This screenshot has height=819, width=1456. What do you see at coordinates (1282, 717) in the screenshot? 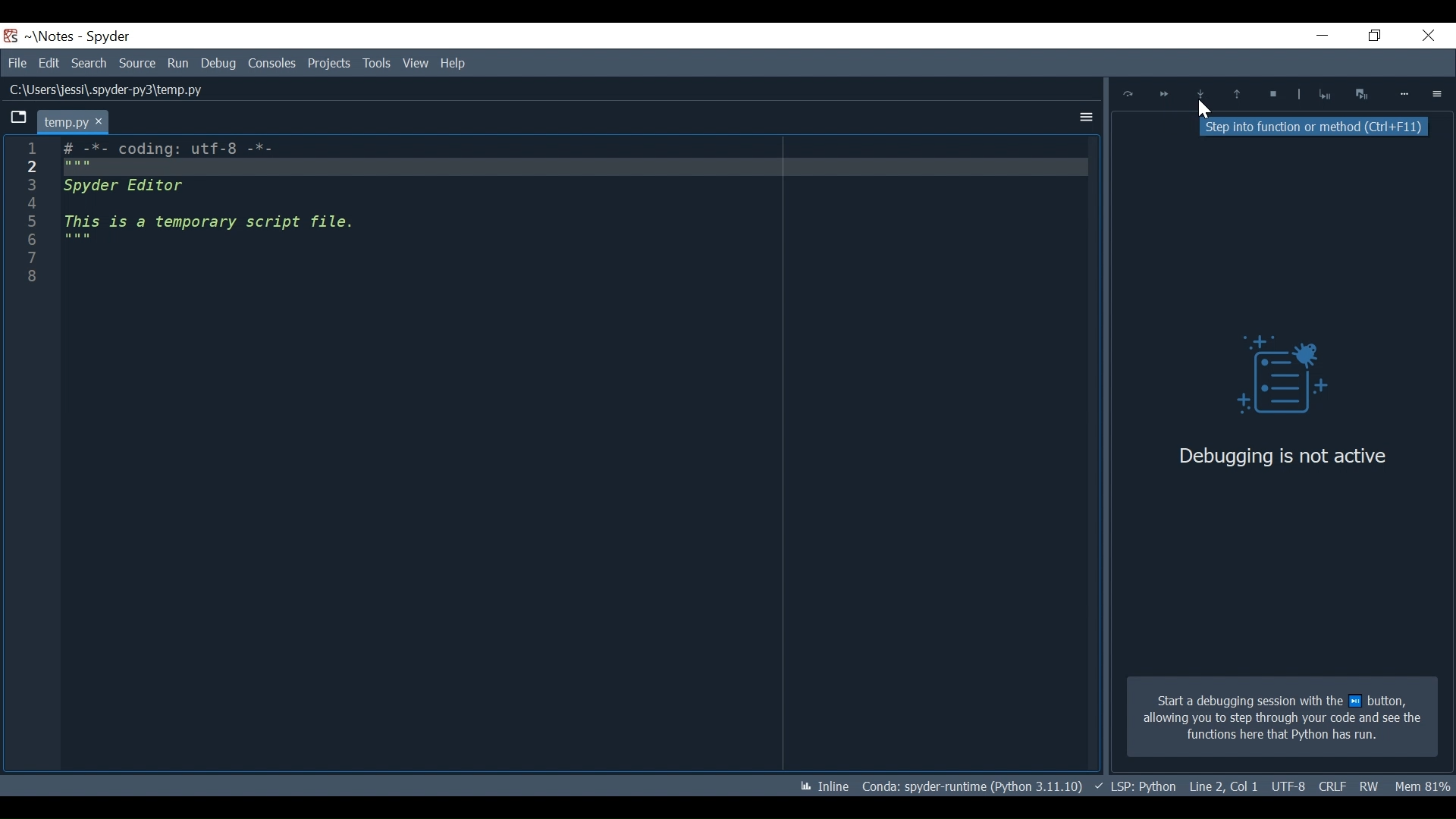
I see `Start a debugging session with the next button allowing you to step through your code and see the functions here that Python has run` at bounding box center [1282, 717].